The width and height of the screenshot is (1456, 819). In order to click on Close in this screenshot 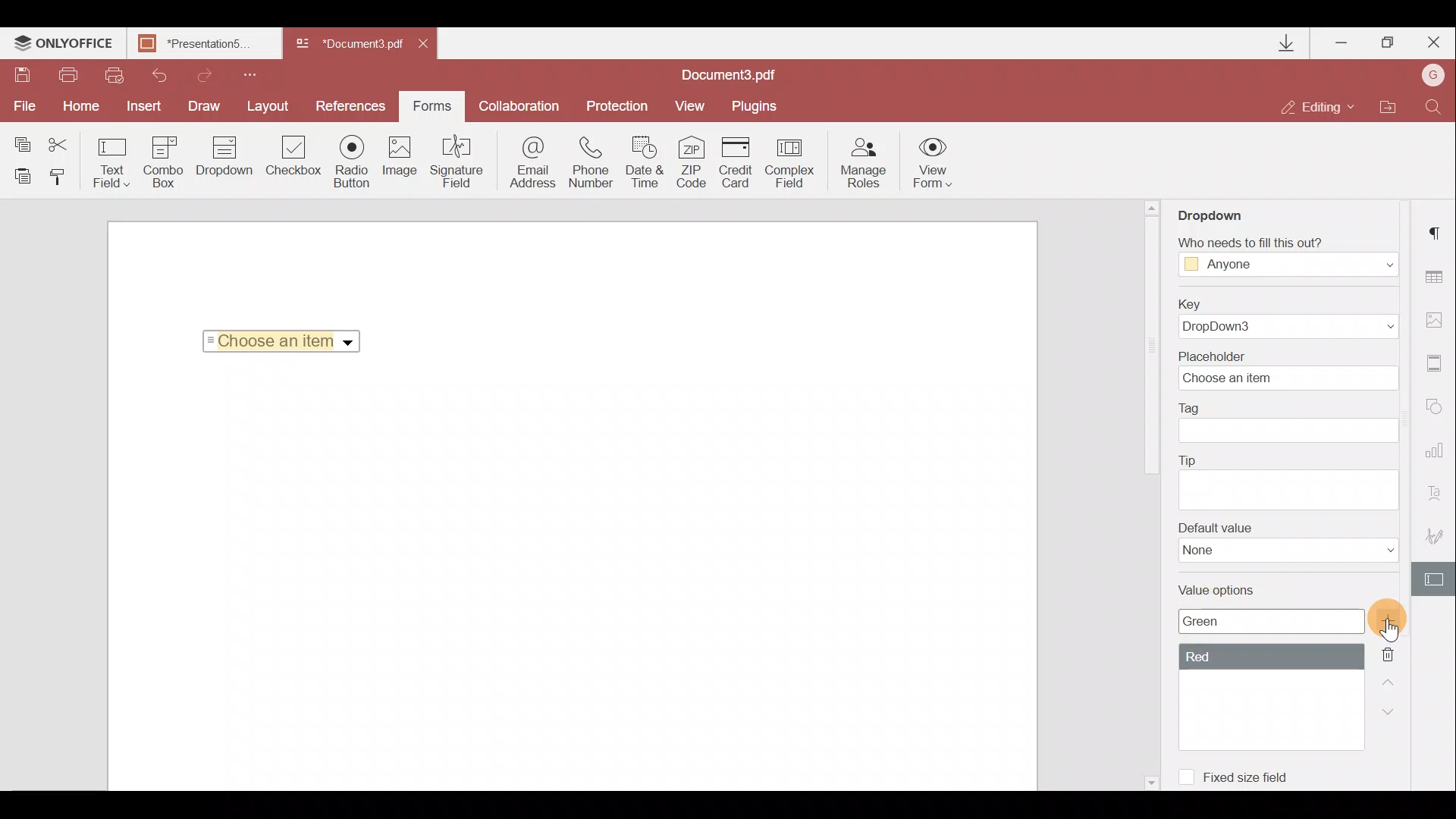, I will do `click(431, 47)`.